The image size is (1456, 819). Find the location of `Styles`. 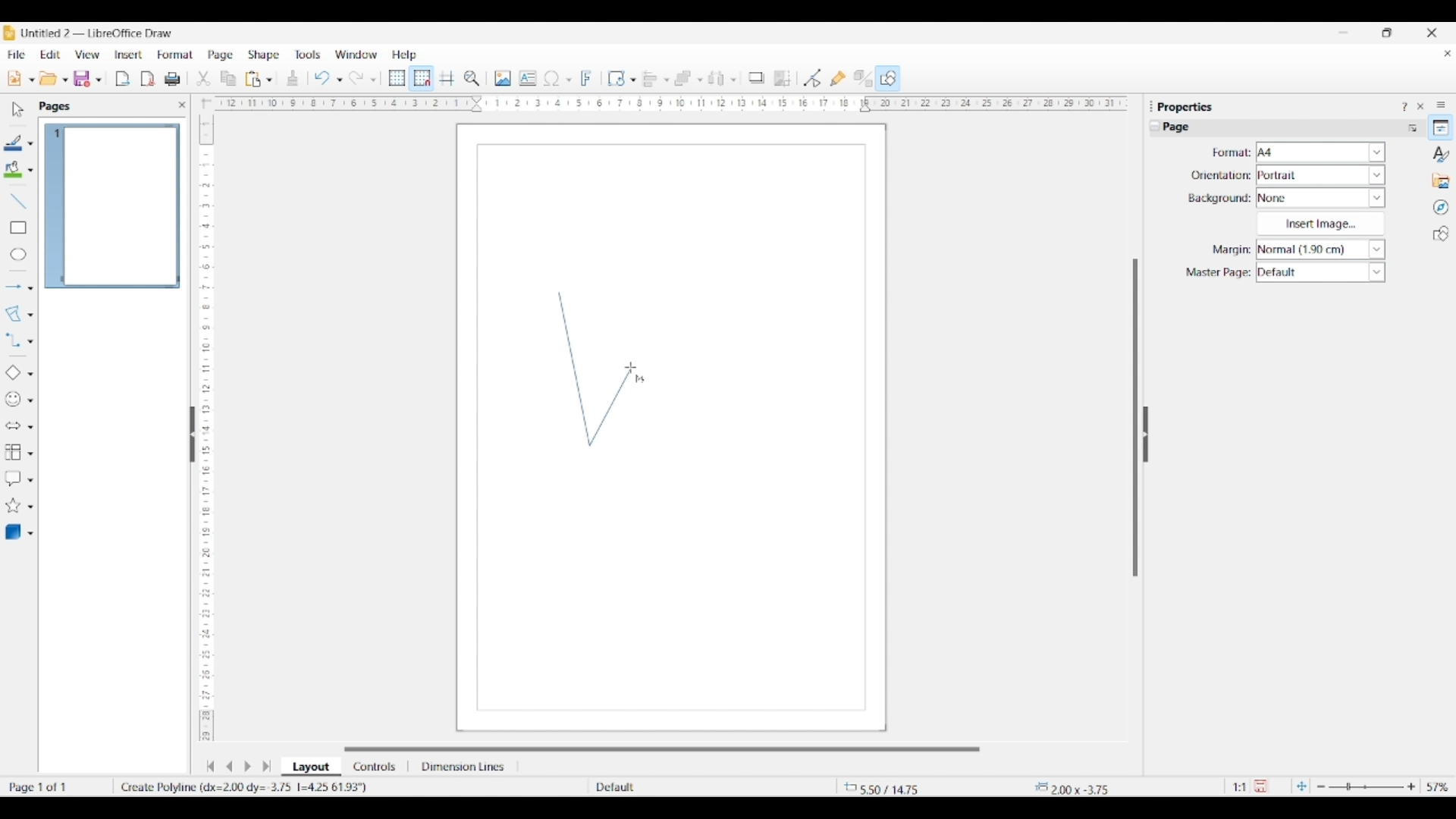

Styles is located at coordinates (1442, 154).